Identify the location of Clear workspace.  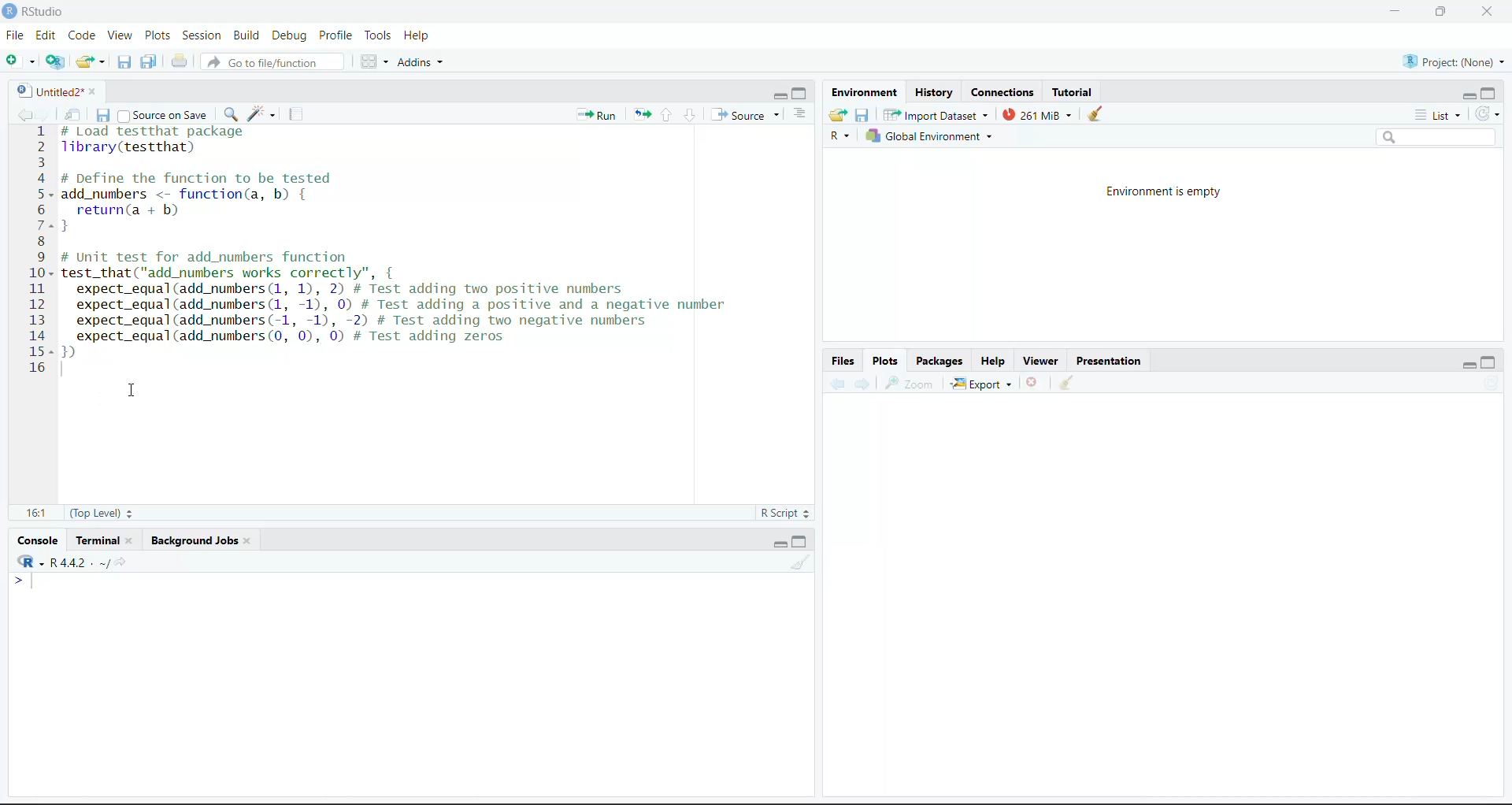
(1066, 382).